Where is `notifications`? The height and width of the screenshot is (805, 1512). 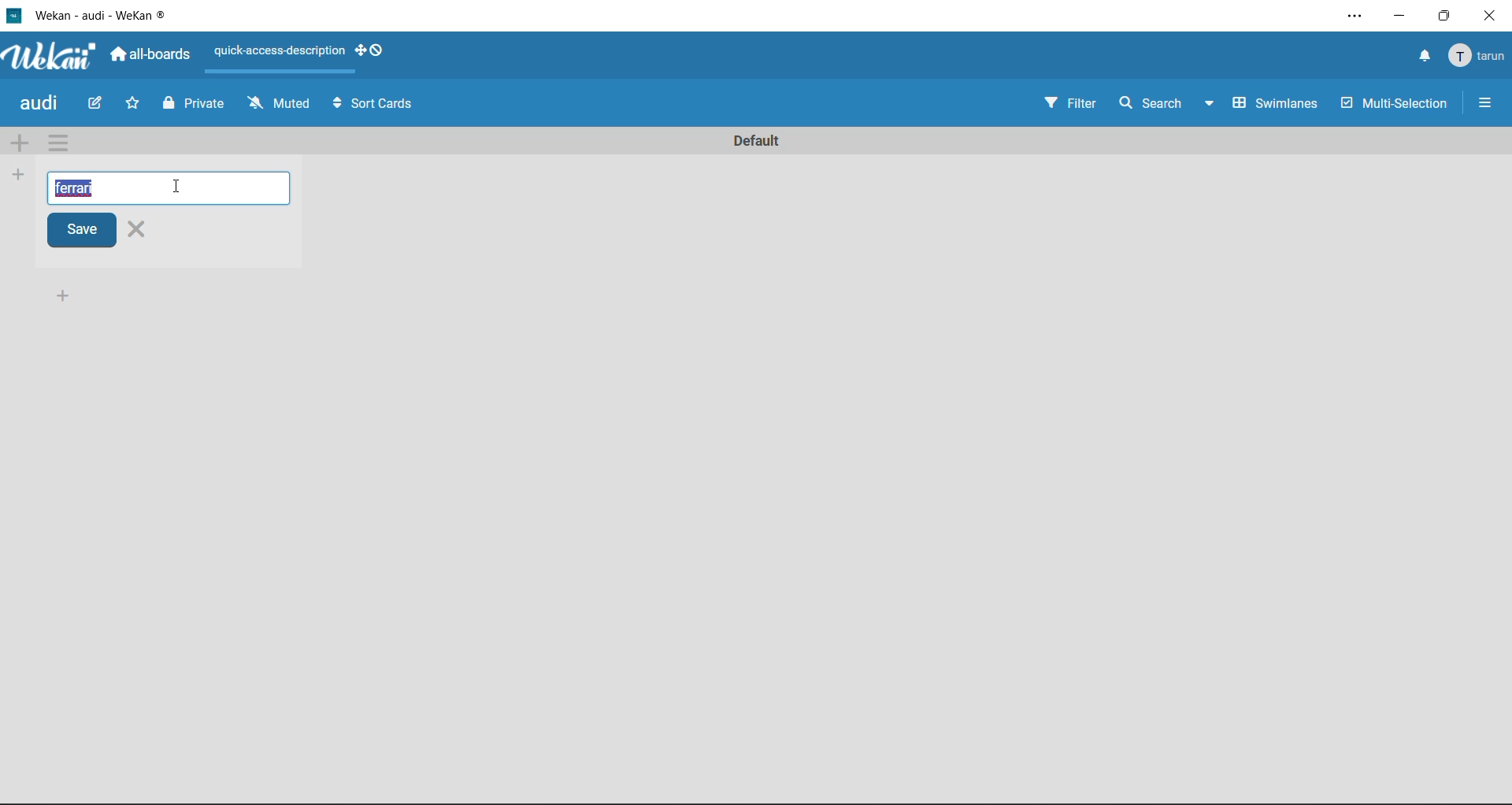
notifications is located at coordinates (1410, 53).